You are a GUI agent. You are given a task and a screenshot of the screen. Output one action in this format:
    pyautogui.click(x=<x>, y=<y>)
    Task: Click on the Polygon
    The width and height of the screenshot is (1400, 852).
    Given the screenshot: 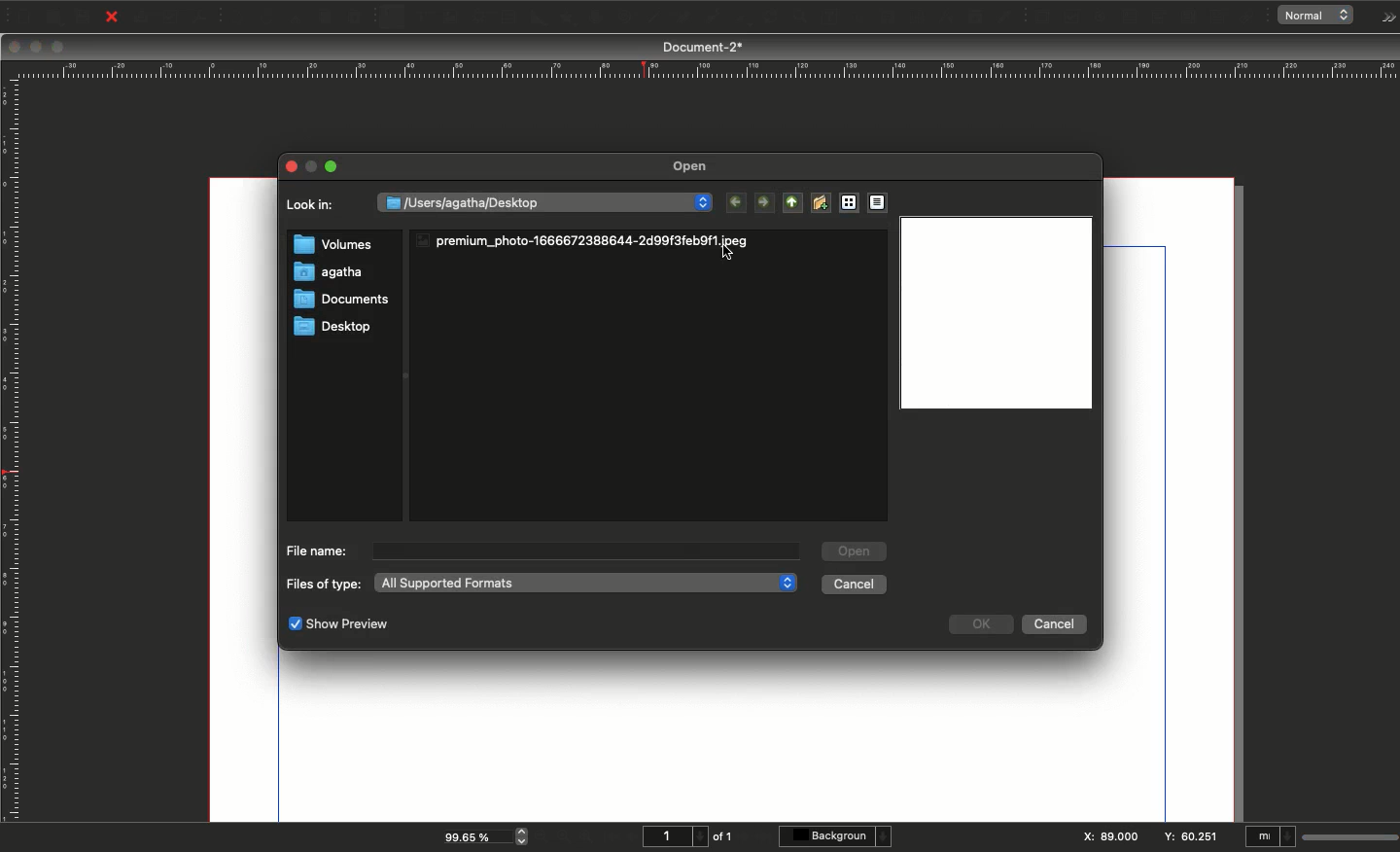 What is the action you would take?
    pyautogui.click(x=567, y=18)
    